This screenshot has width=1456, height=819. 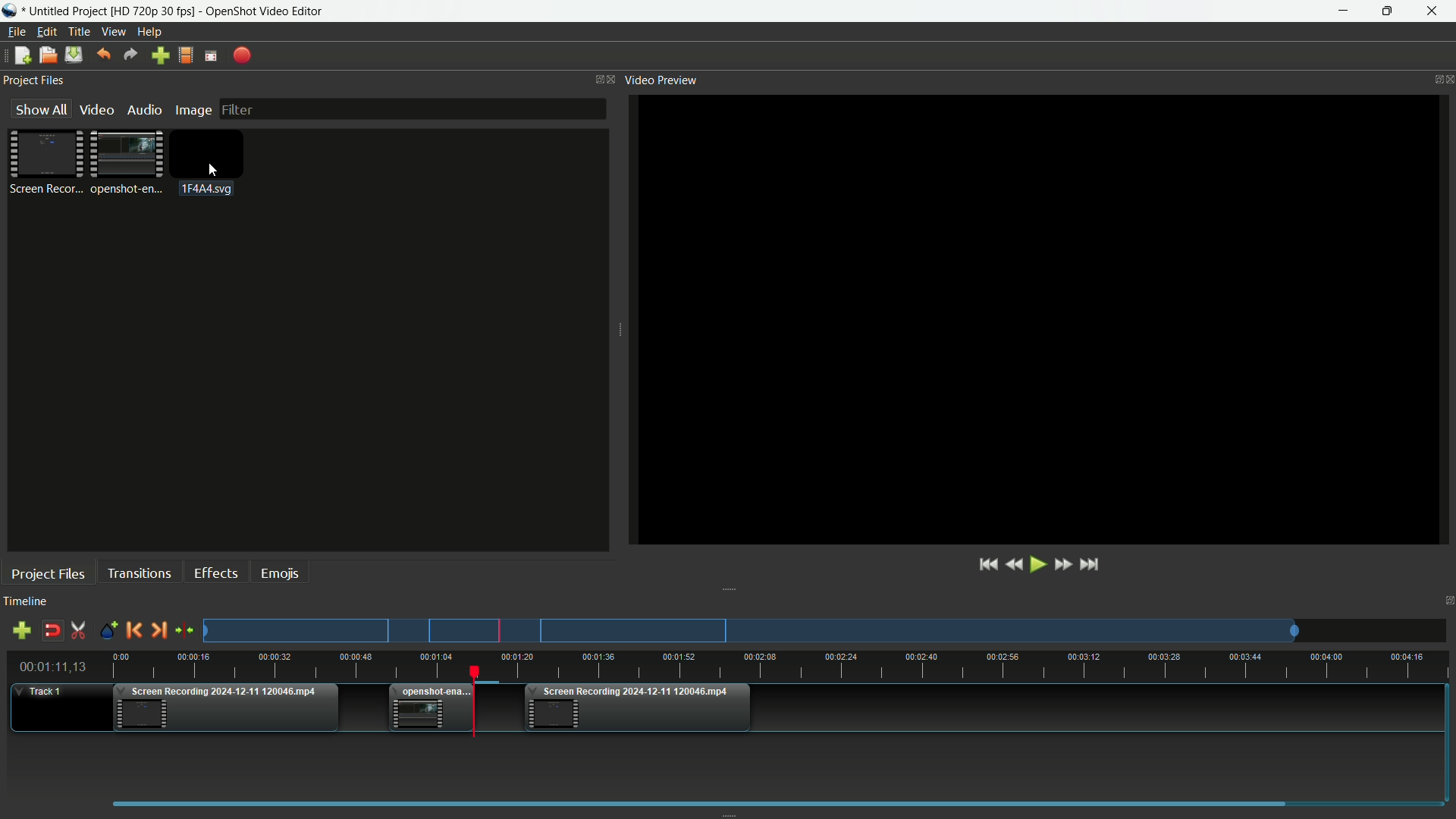 I want to click on Image for placeholder, so click(x=206, y=163).